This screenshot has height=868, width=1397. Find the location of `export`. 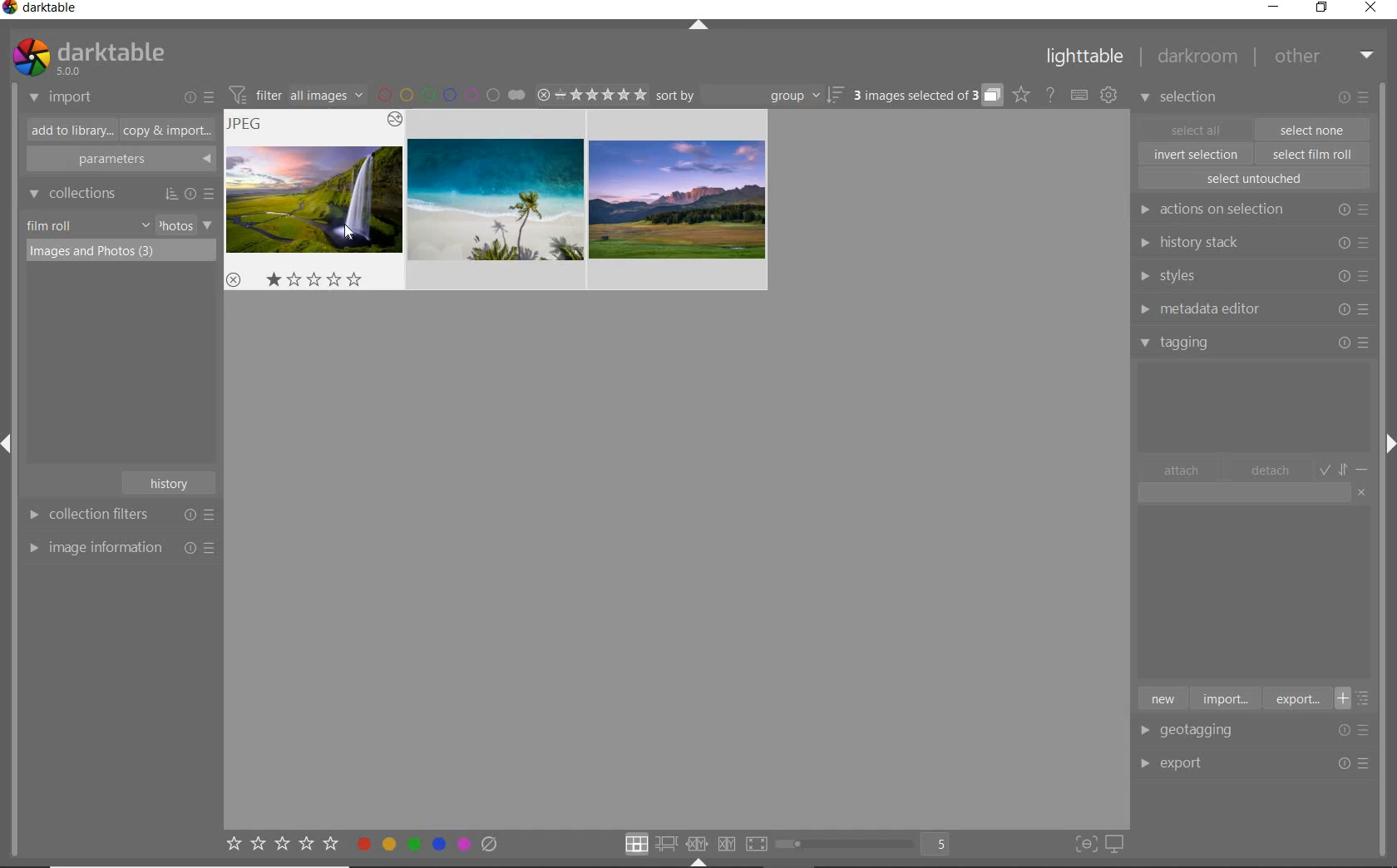

export is located at coordinates (1296, 698).